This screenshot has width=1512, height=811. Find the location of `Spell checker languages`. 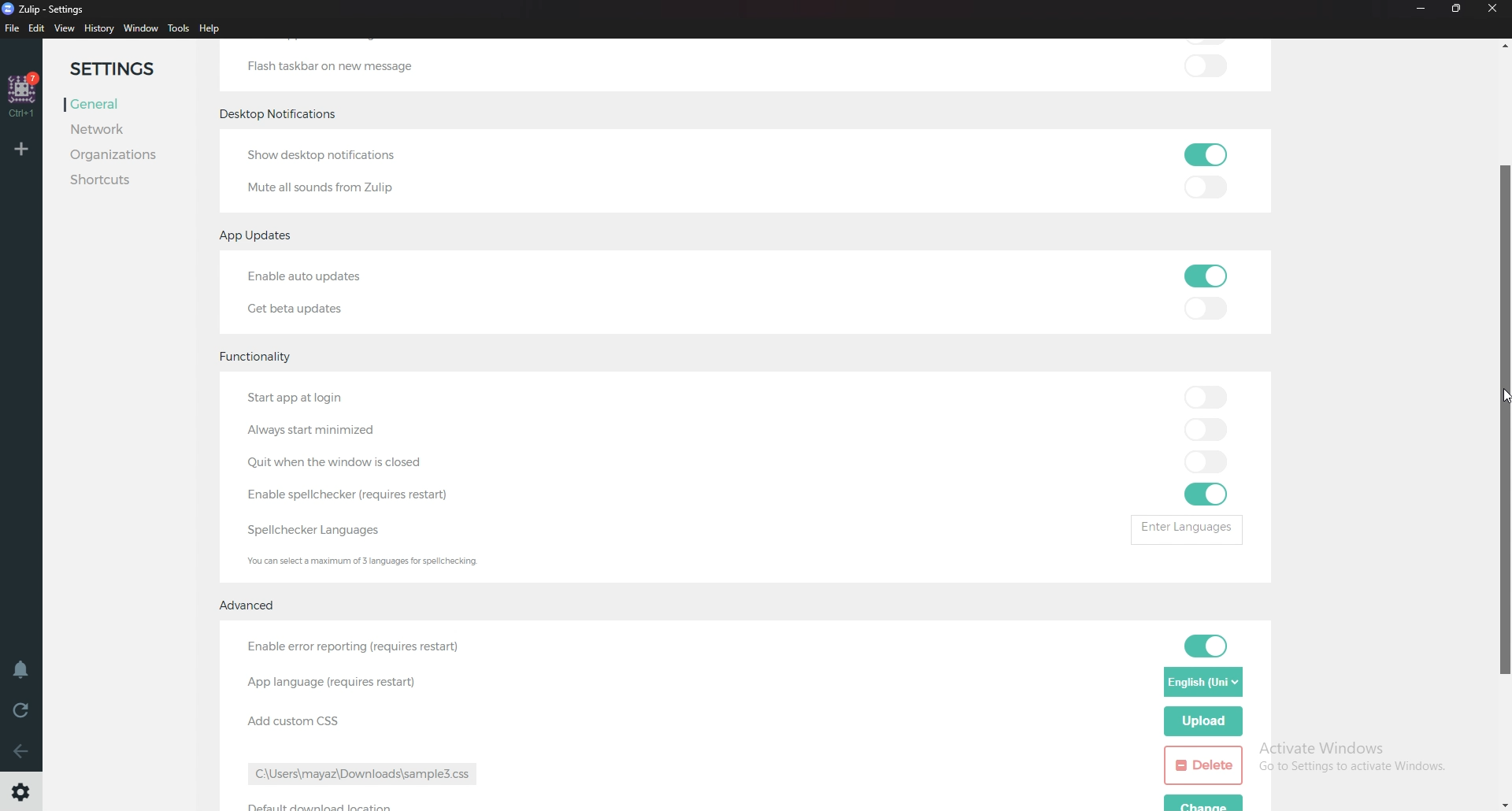

Spell checker languages is located at coordinates (320, 530).